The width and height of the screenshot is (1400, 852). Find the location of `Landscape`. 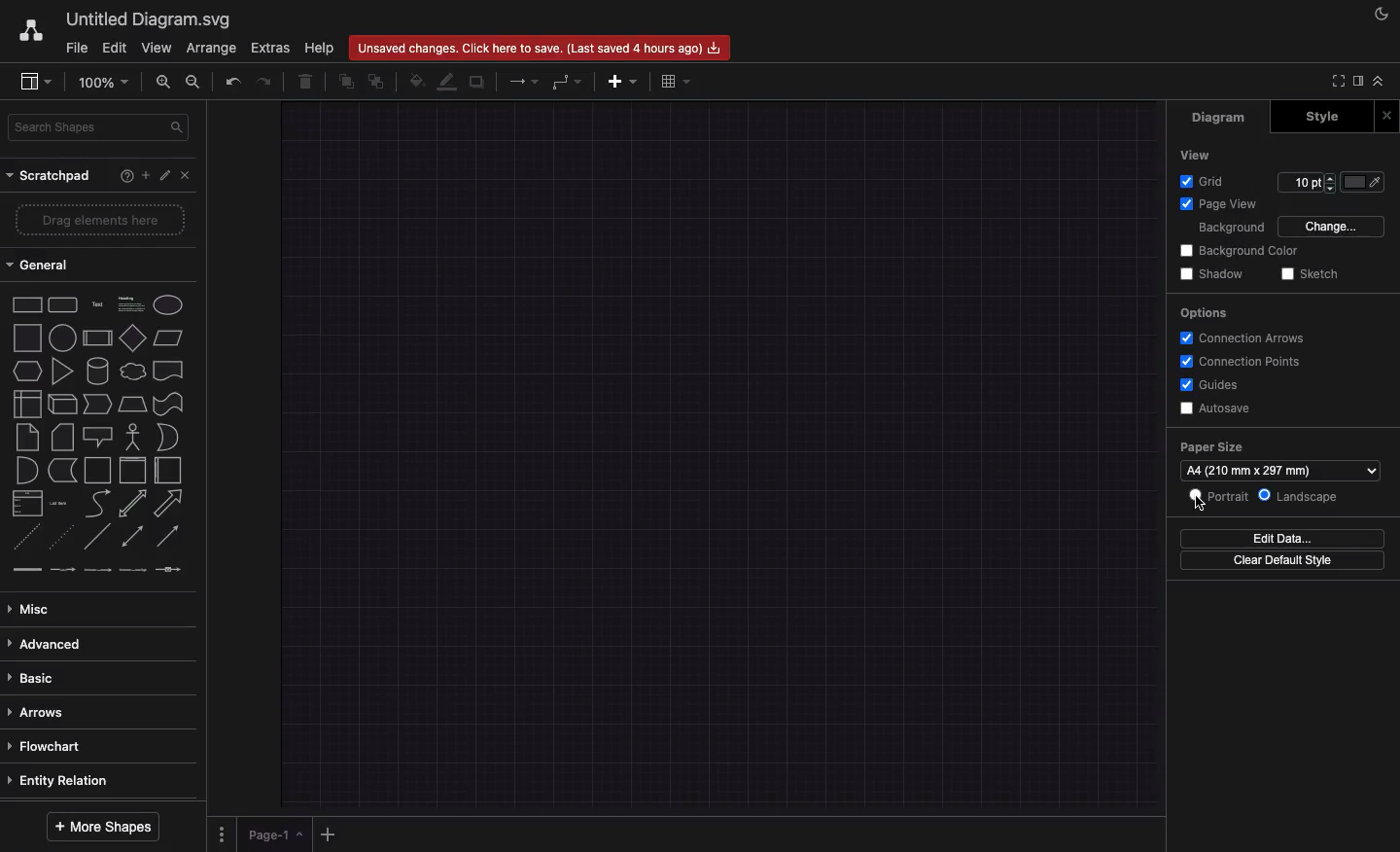

Landscape is located at coordinates (1303, 499).